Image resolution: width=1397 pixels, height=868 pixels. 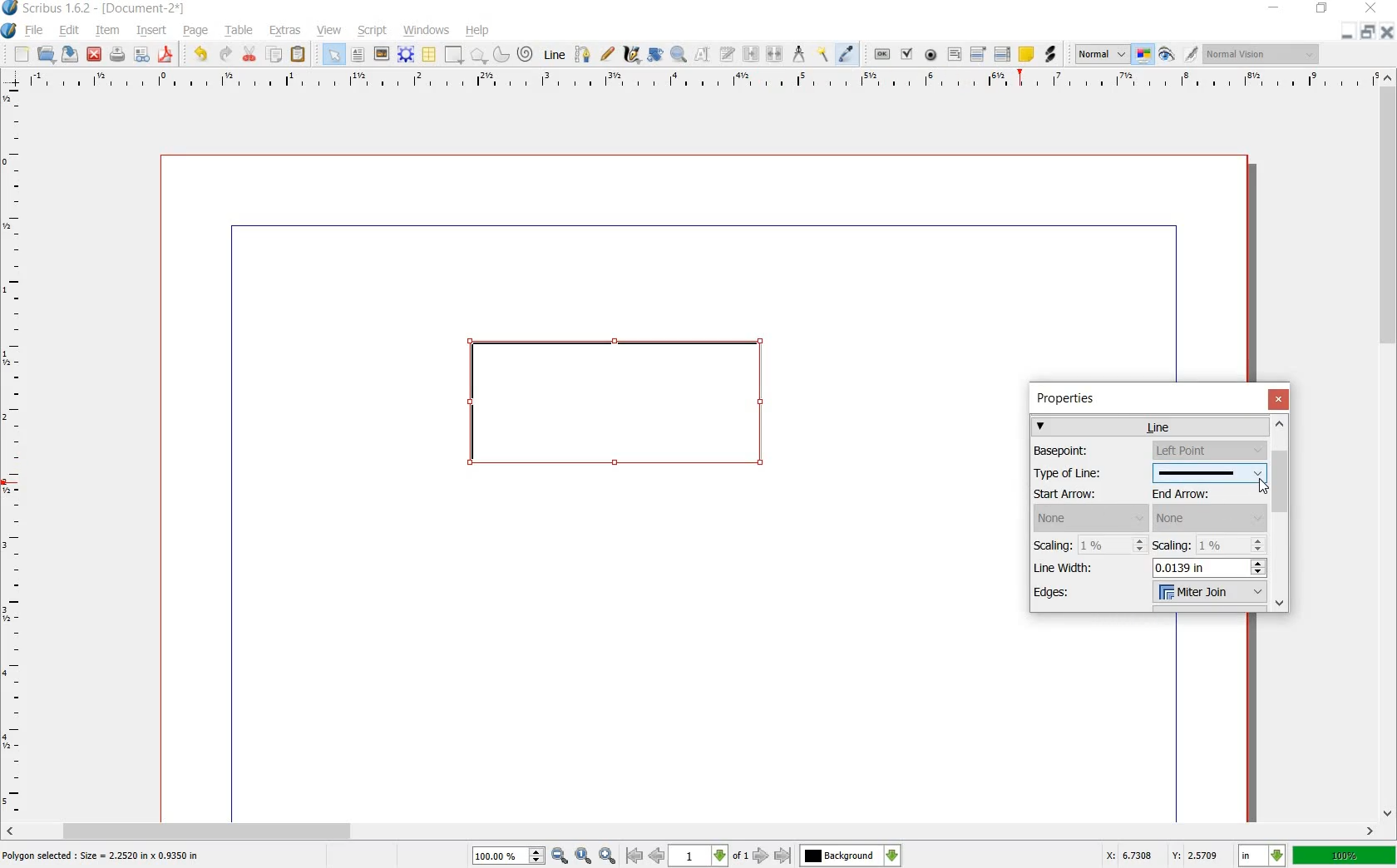 I want to click on FILE, so click(x=34, y=32).